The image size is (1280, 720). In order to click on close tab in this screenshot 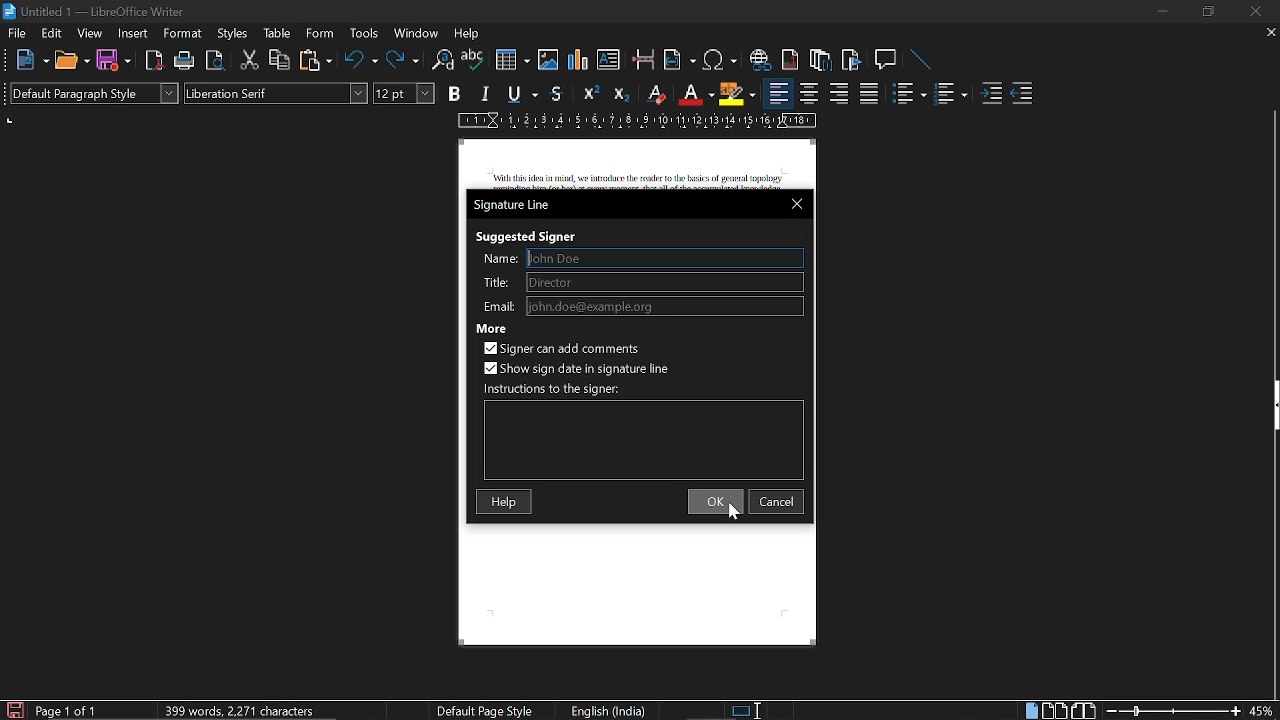, I will do `click(1270, 34)`.